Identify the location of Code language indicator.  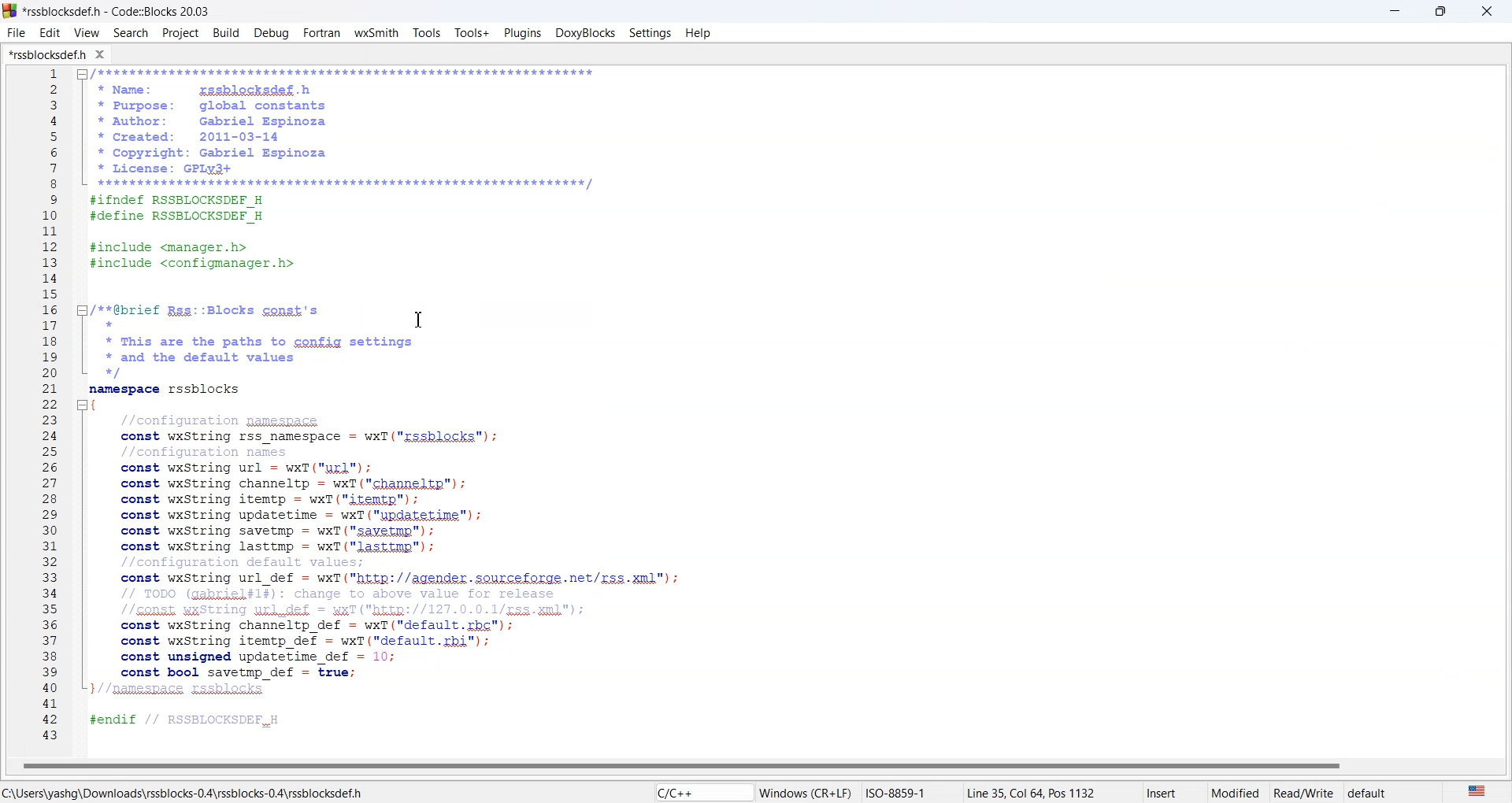
(702, 791).